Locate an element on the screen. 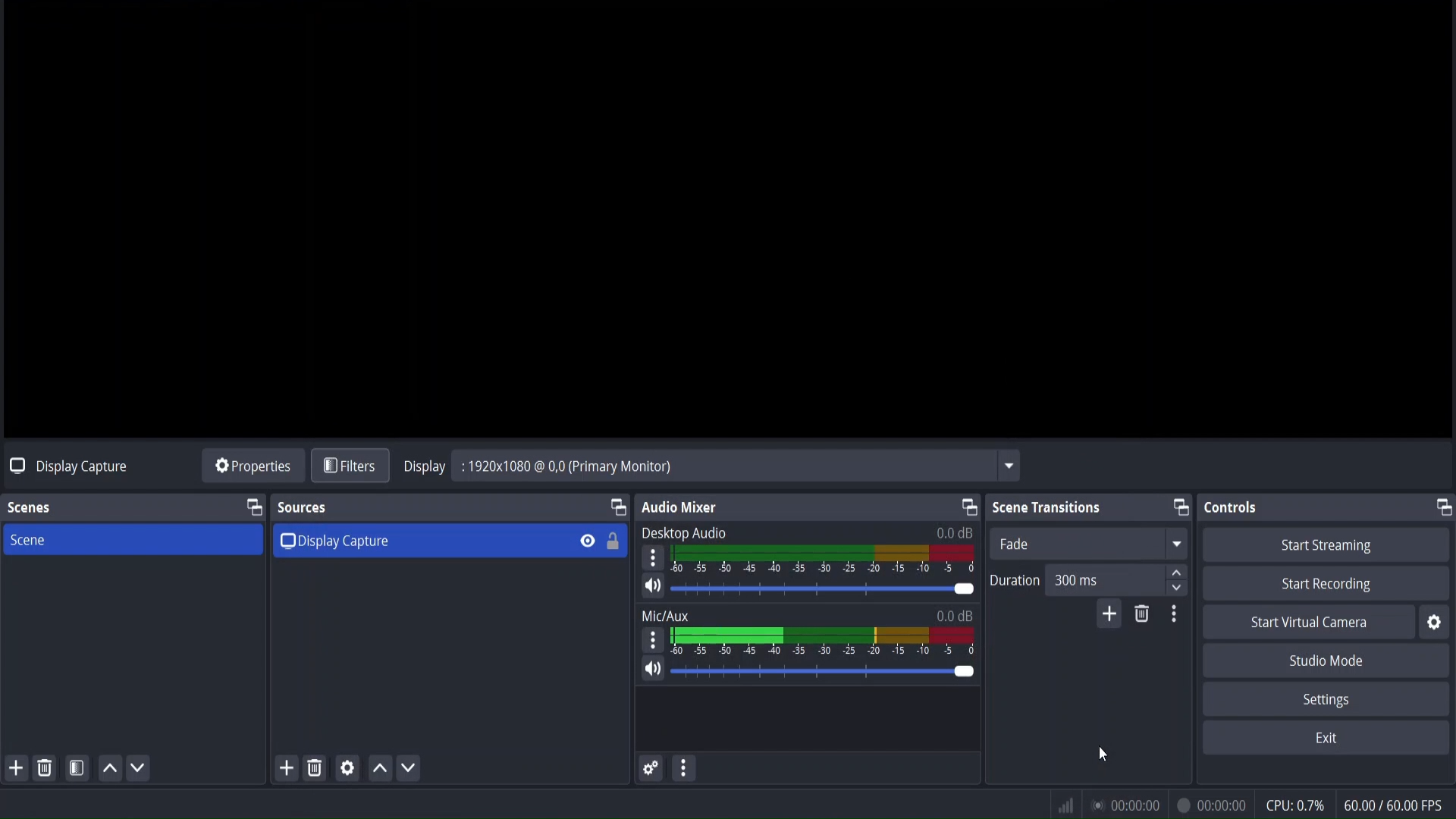 The height and width of the screenshot is (819, 1456). settings is located at coordinates (652, 641).